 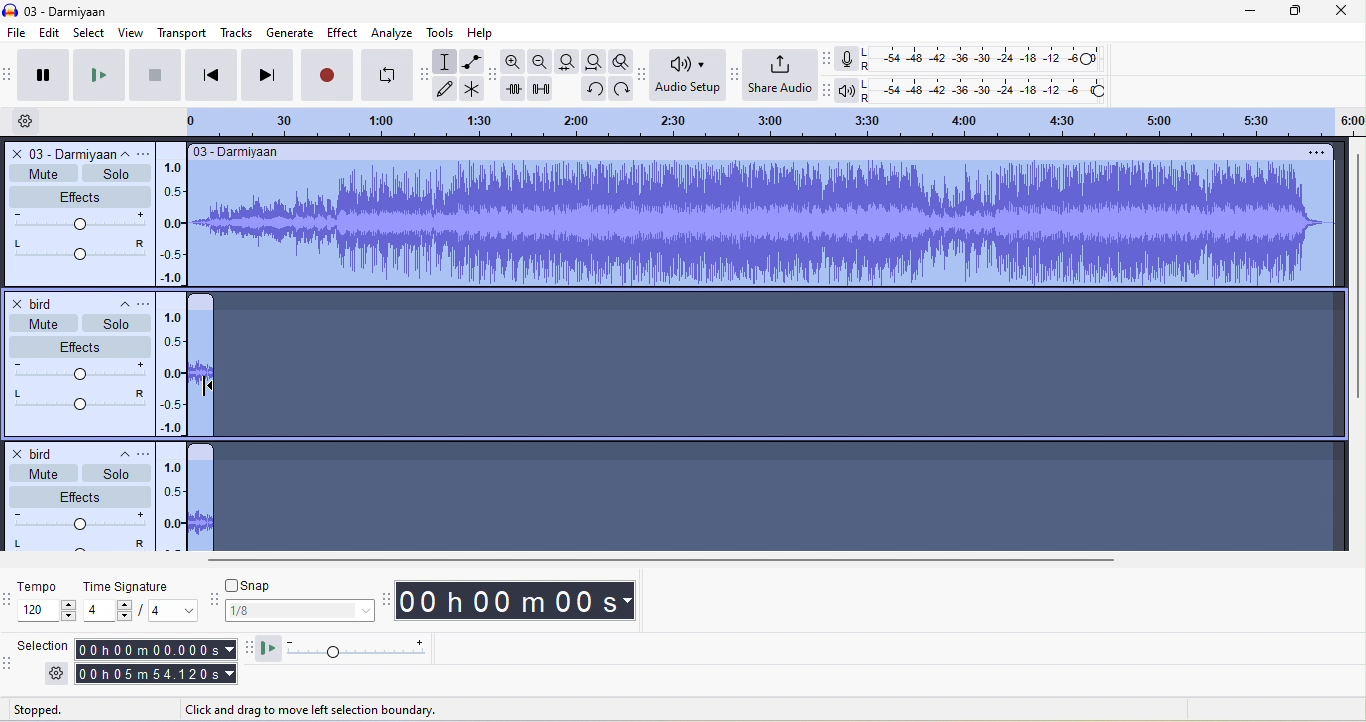 I want to click on linear, so click(x=174, y=216).